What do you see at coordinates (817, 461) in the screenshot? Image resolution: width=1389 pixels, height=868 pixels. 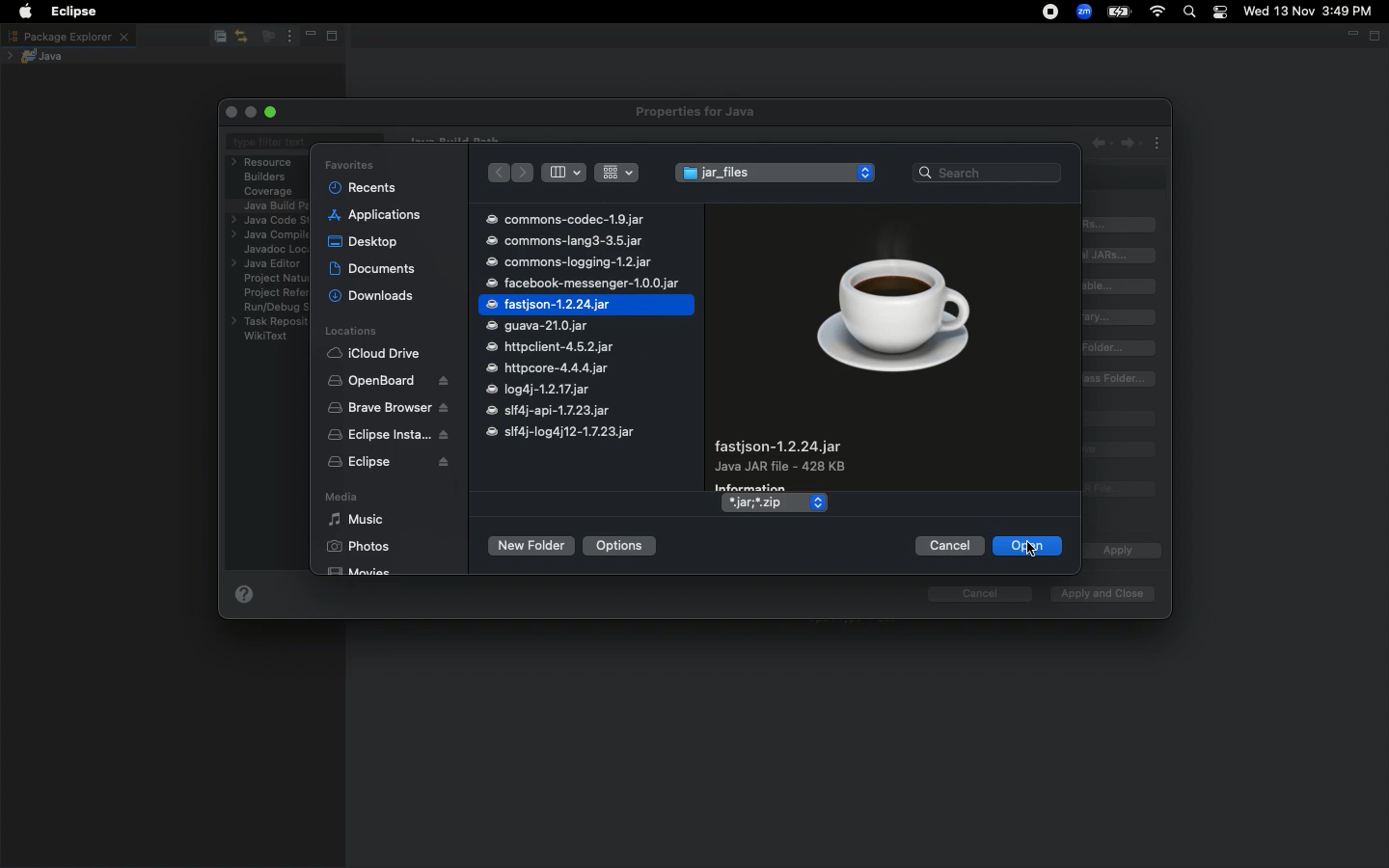 I see `facebook-messenger-1.0.0.jar Java JAR file - 69 KB Information` at bounding box center [817, 461].